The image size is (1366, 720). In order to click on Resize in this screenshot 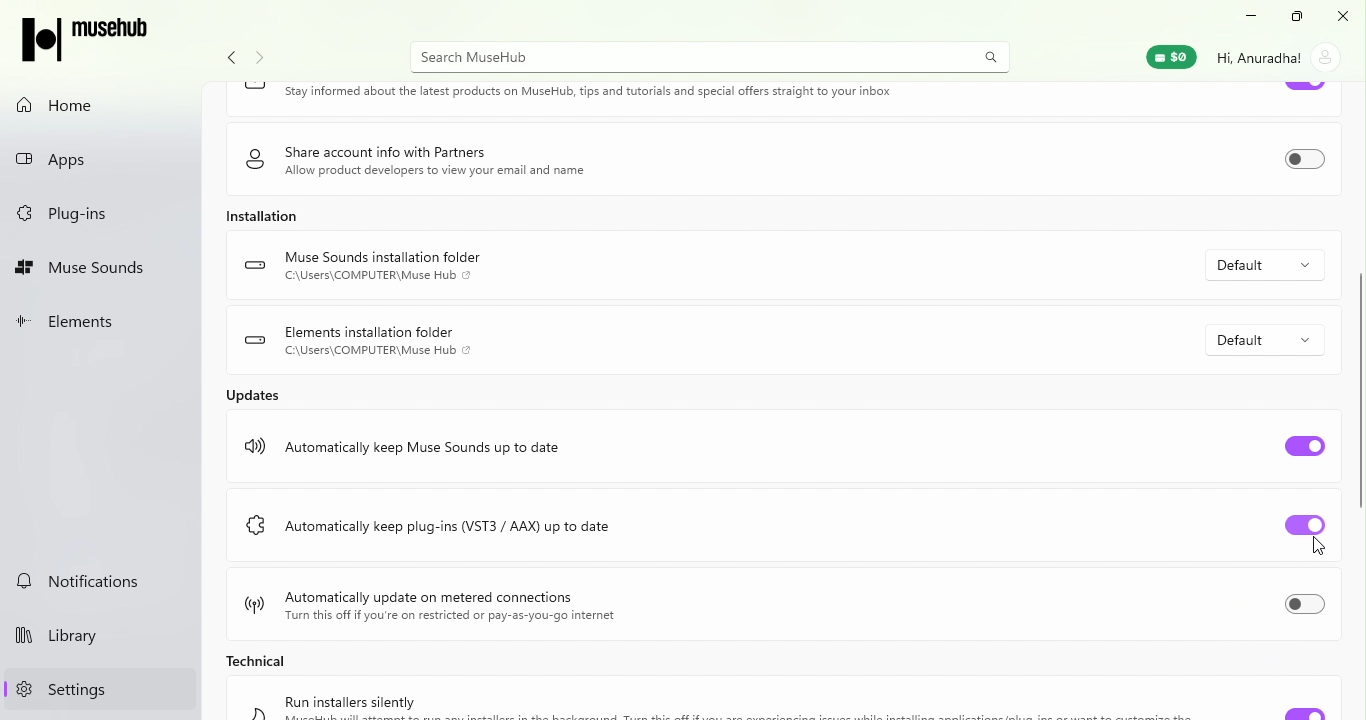, I will do `click(1298, 19)`.